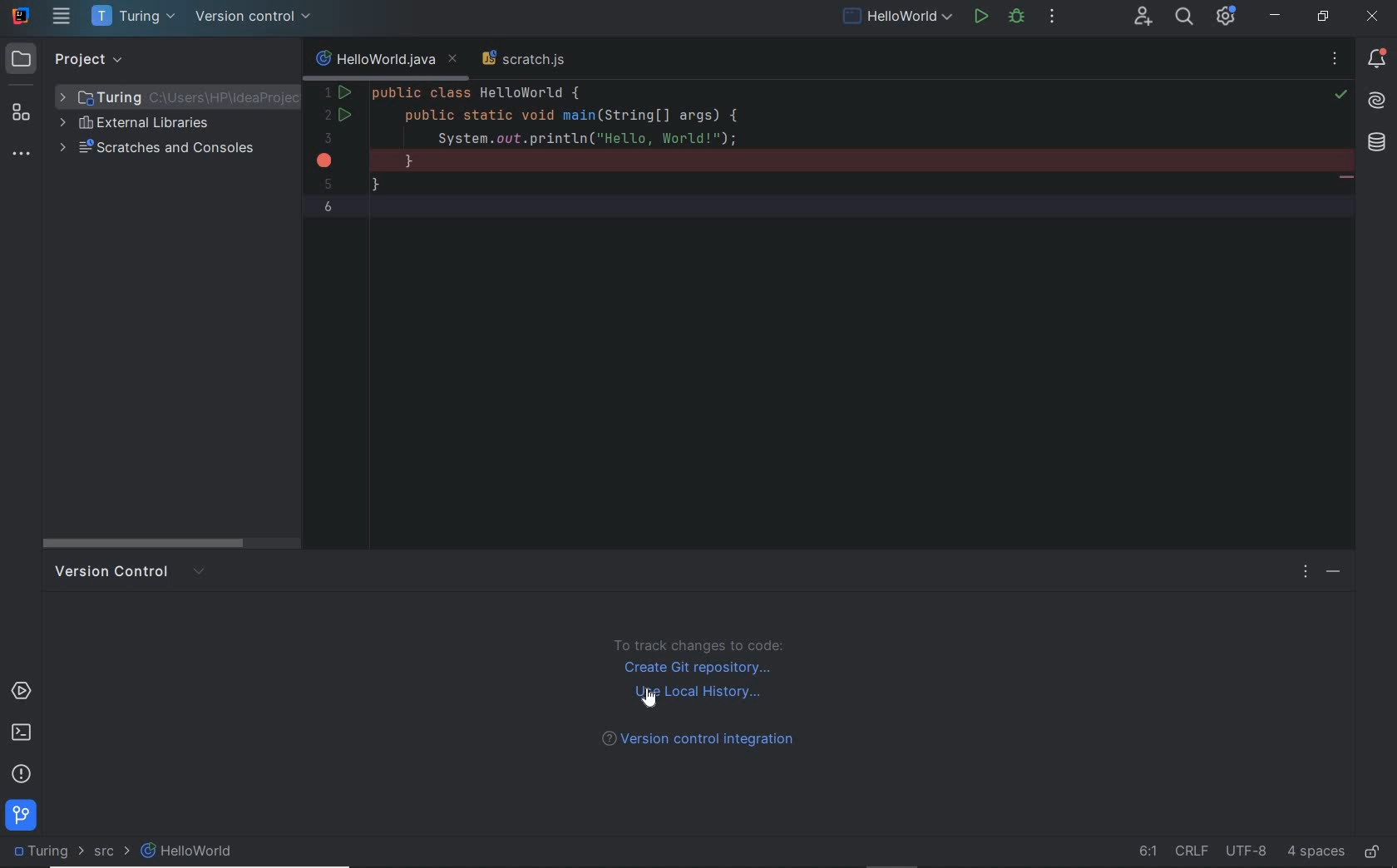  I want to click on AI assistant, so click(1380, 101).